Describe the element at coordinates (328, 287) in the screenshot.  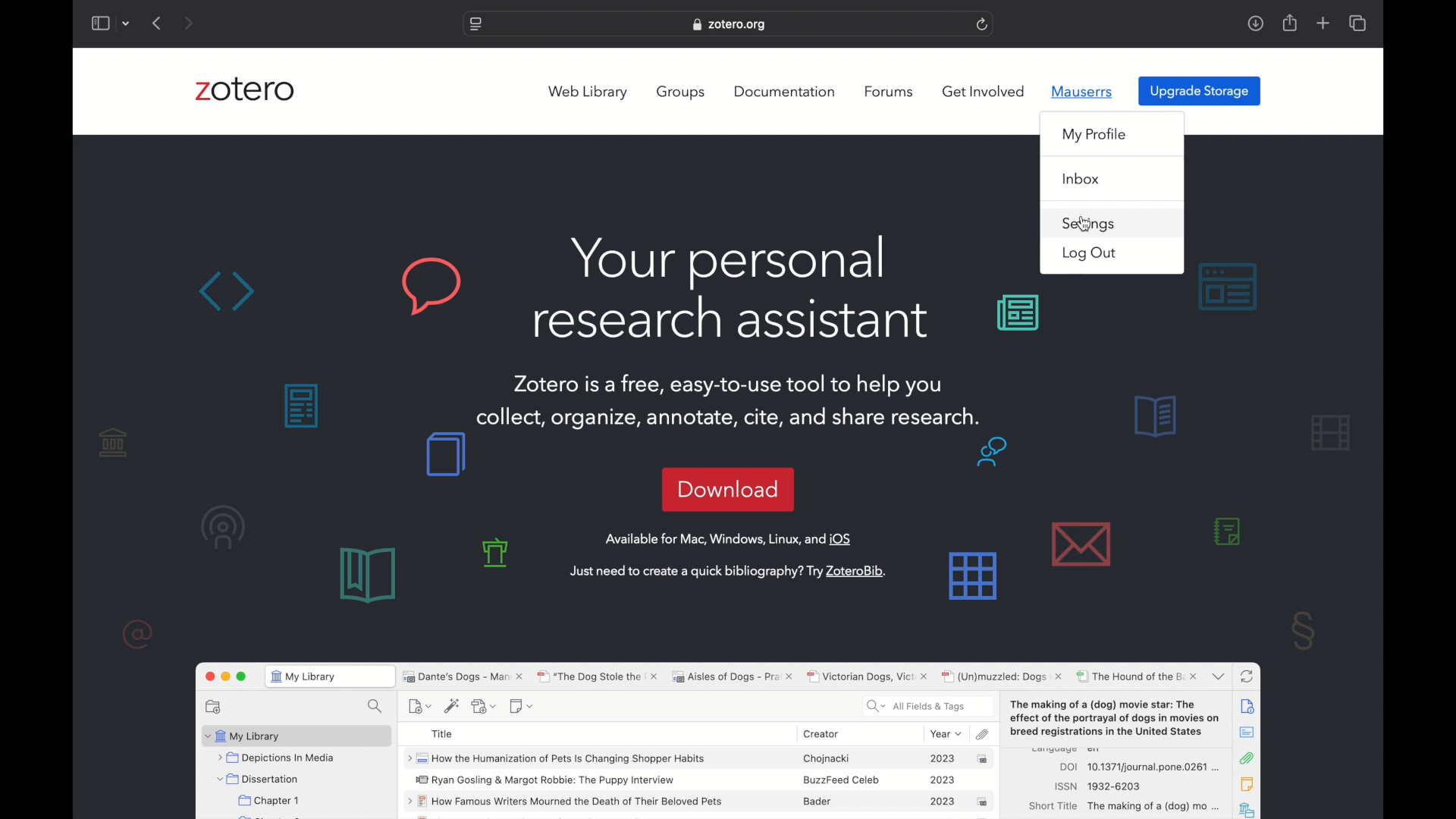
I see `background graphics` at that location.